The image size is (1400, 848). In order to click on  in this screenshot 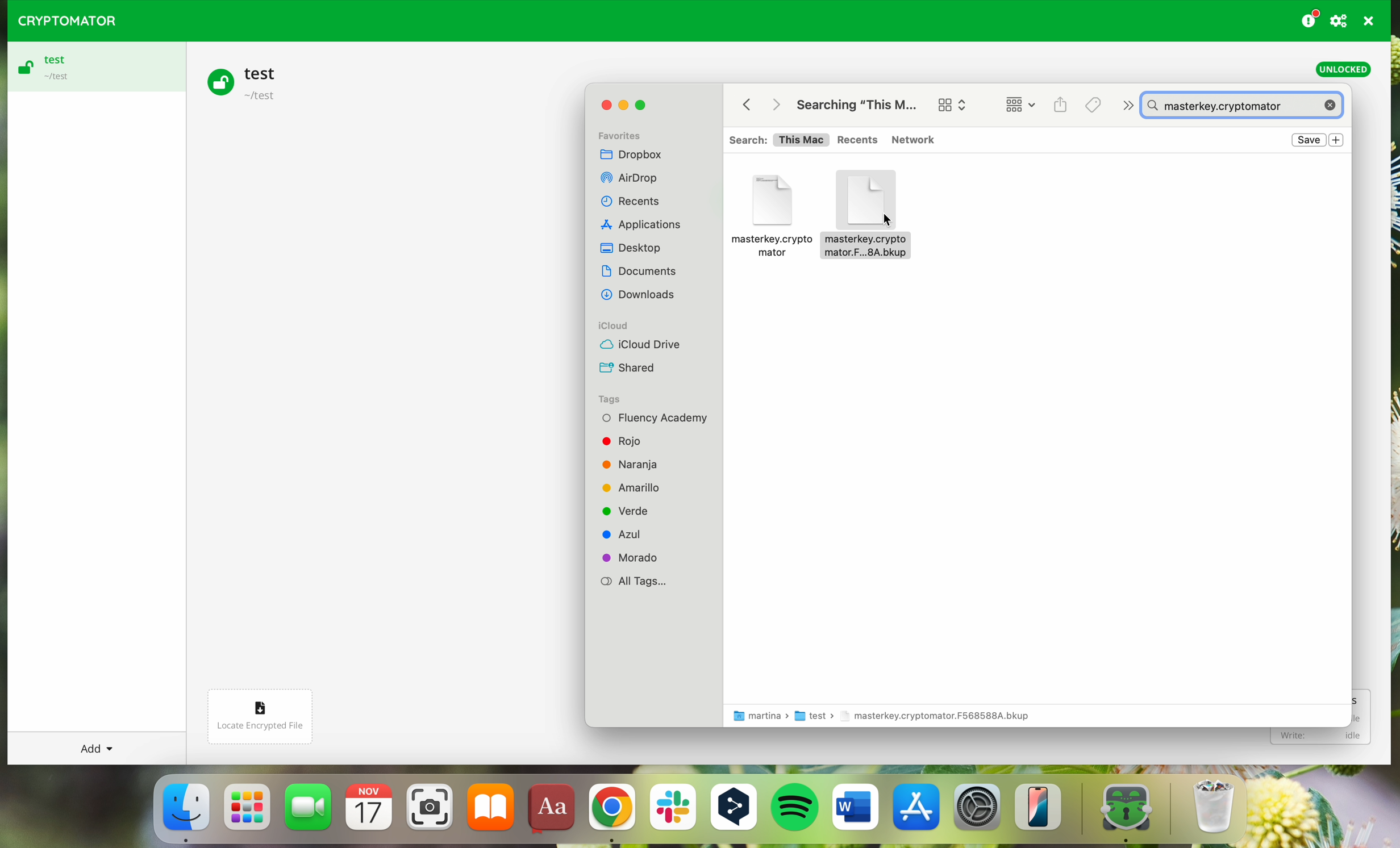, I will do `click(776, 104)`.